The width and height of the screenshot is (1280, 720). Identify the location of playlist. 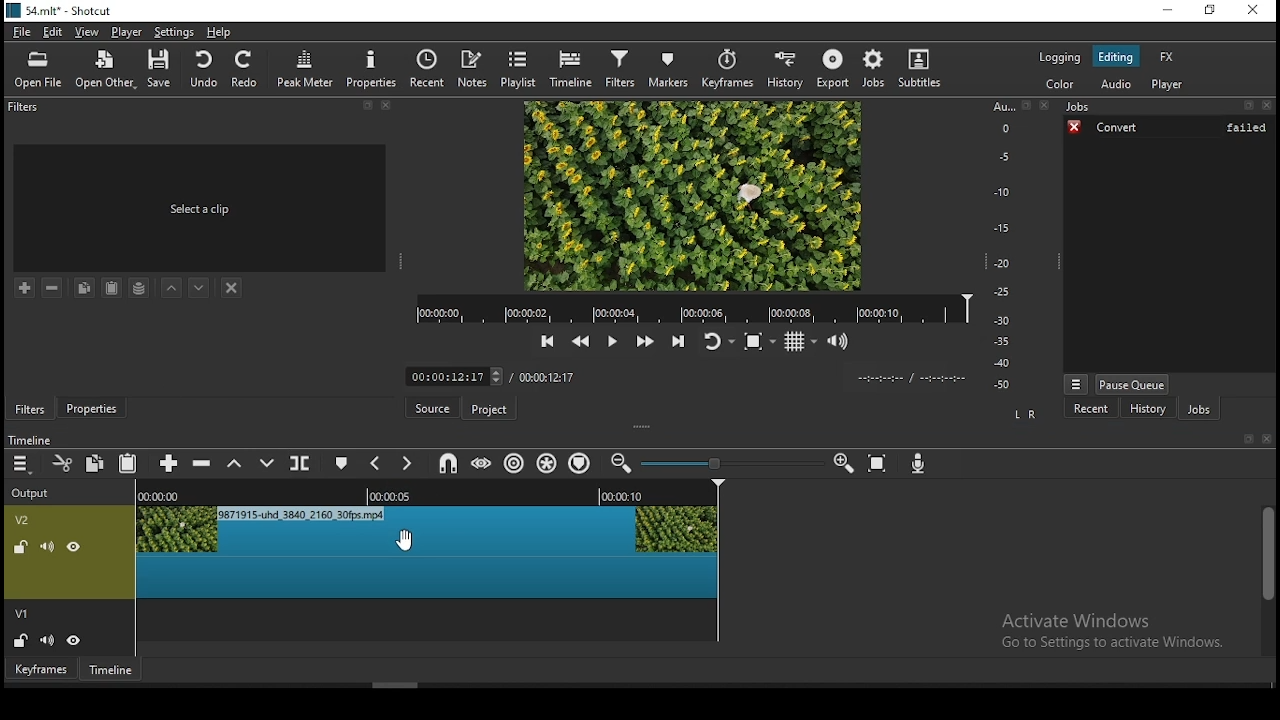
(520, 68).